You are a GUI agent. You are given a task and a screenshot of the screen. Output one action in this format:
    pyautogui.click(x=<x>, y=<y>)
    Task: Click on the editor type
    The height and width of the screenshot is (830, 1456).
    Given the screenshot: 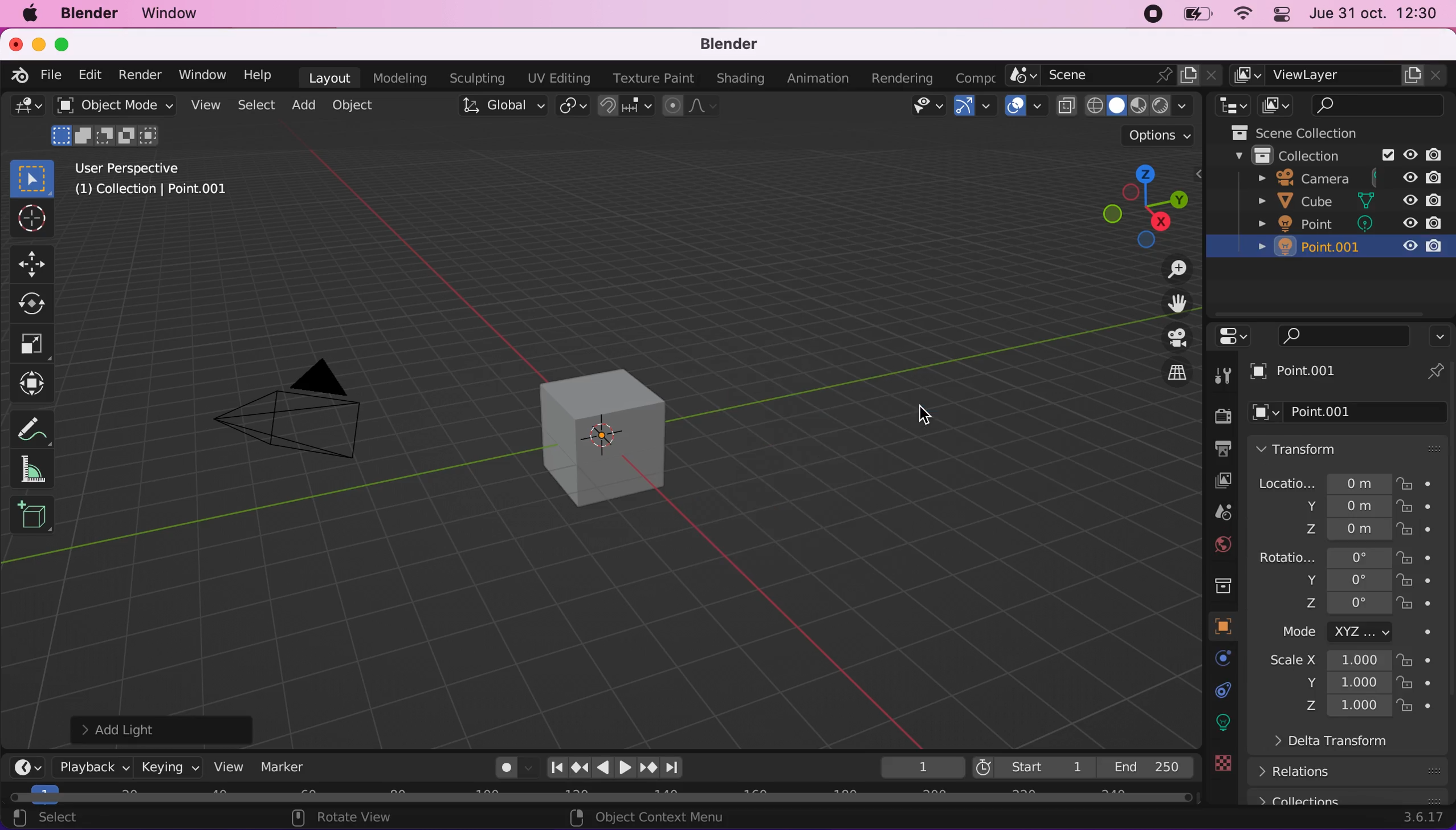 What is the action you would take?
    pyautogui.click(x=1235, y=334)
    